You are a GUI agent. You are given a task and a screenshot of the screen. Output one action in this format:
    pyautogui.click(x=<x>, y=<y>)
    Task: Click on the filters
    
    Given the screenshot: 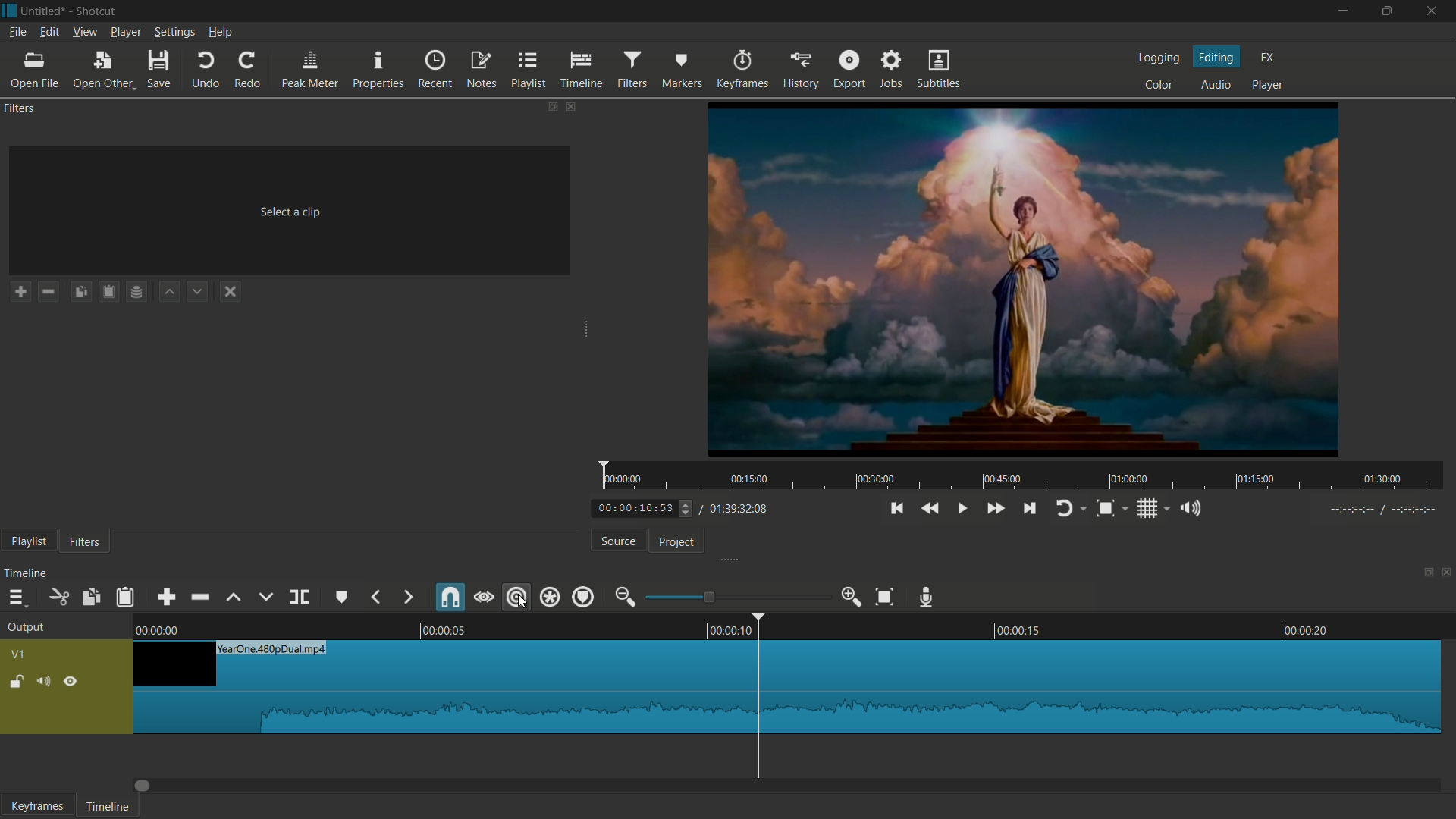 What is the action you would take?
    pyautogui.click(x=20, y=109)
    